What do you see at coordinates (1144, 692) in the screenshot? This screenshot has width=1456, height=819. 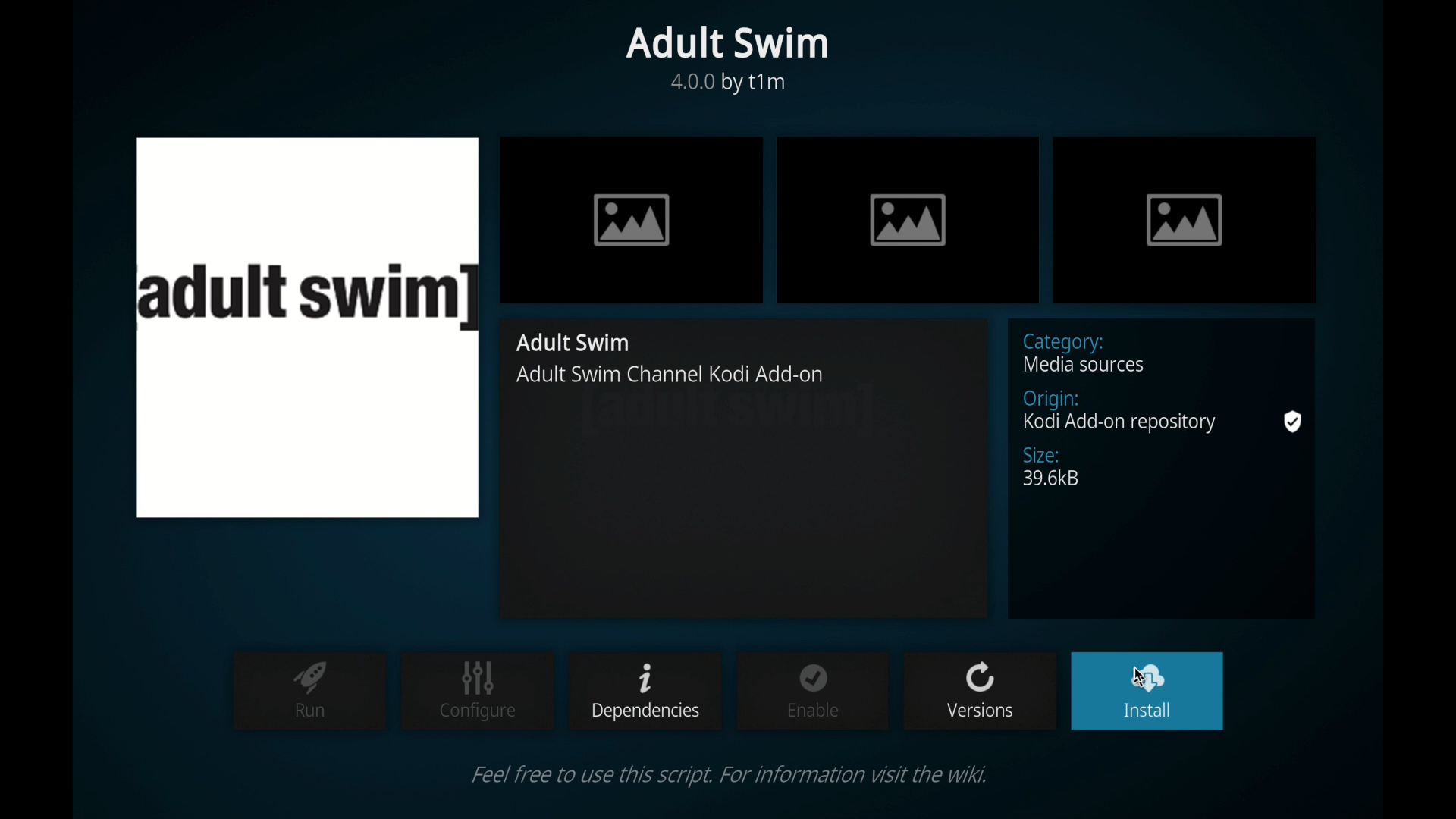 I see `install` at bounding box center [1144, 692].